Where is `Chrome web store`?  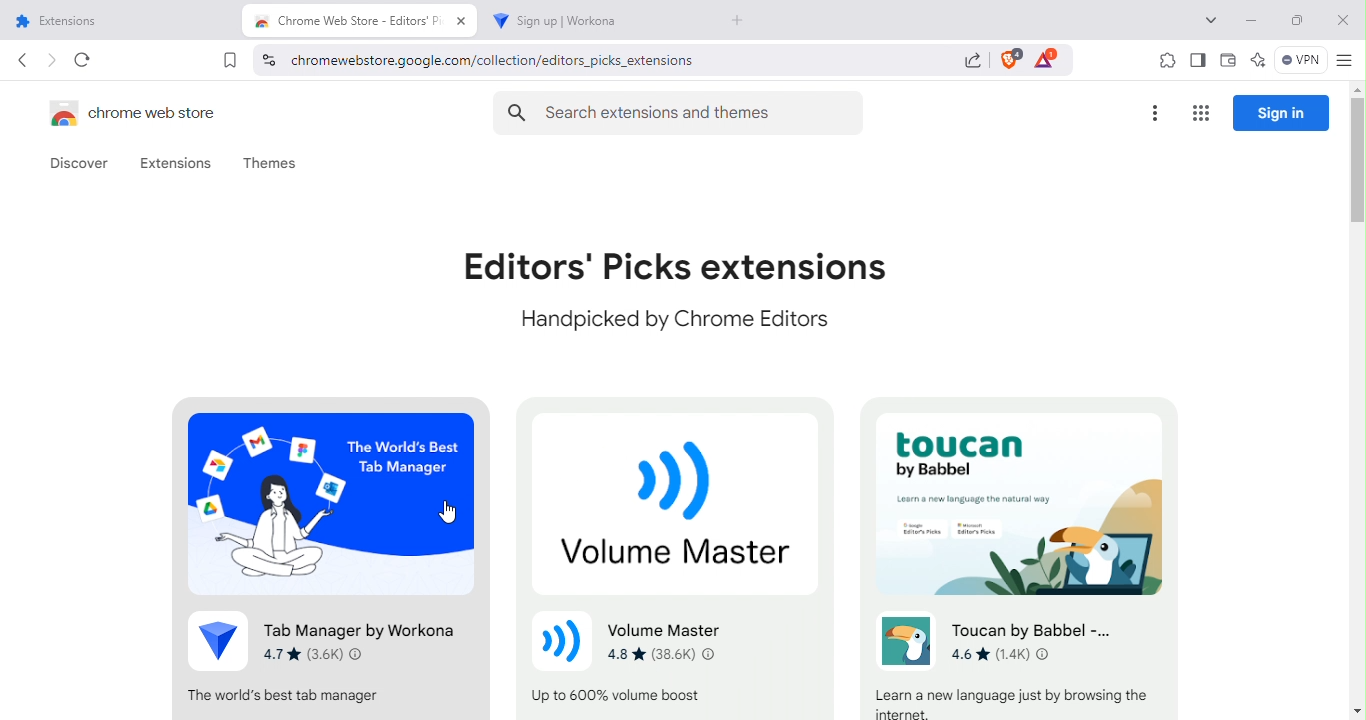 Chrome web store is located at coordinates (143, 112).